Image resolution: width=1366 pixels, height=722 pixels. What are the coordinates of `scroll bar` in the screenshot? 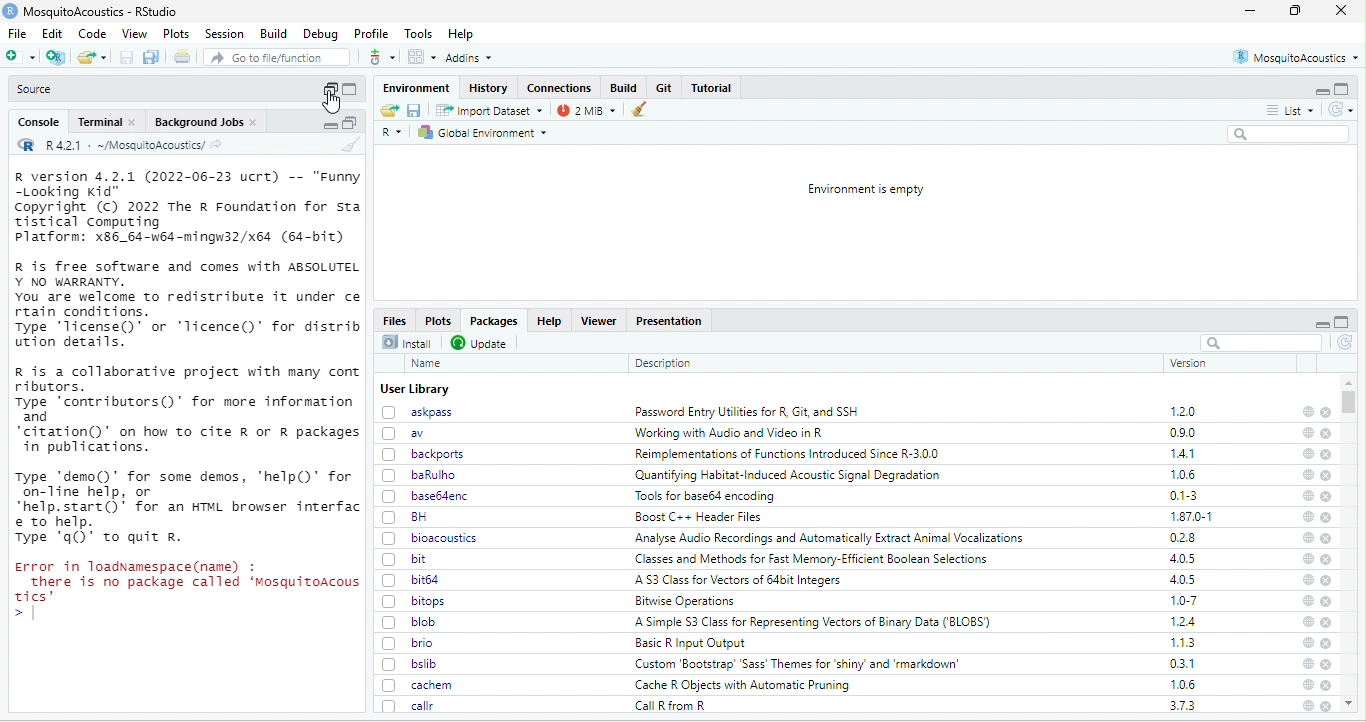 It's located at (1353, 402).